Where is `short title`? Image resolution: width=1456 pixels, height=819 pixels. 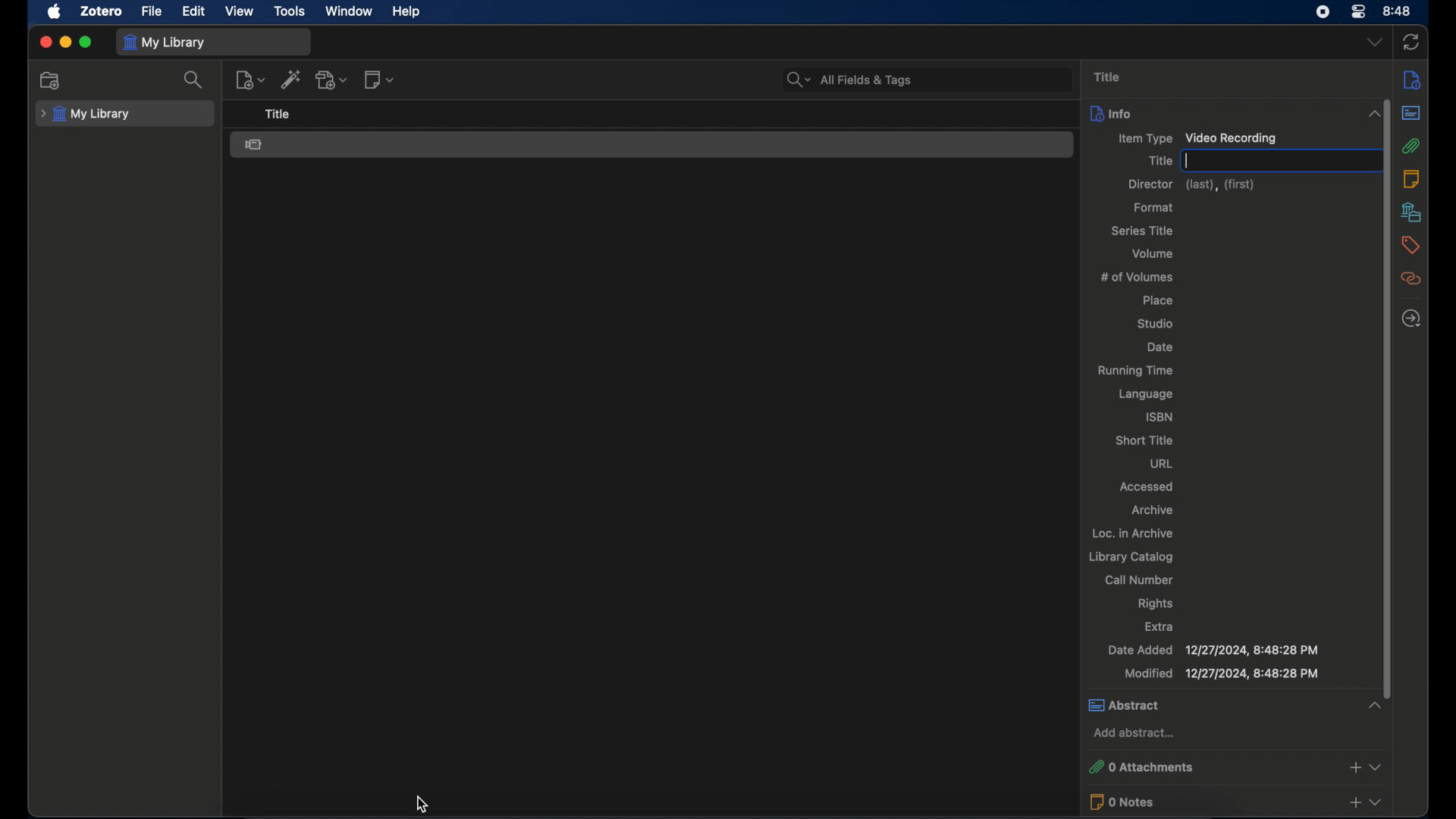 short title is located at coordinates (1144, 441).